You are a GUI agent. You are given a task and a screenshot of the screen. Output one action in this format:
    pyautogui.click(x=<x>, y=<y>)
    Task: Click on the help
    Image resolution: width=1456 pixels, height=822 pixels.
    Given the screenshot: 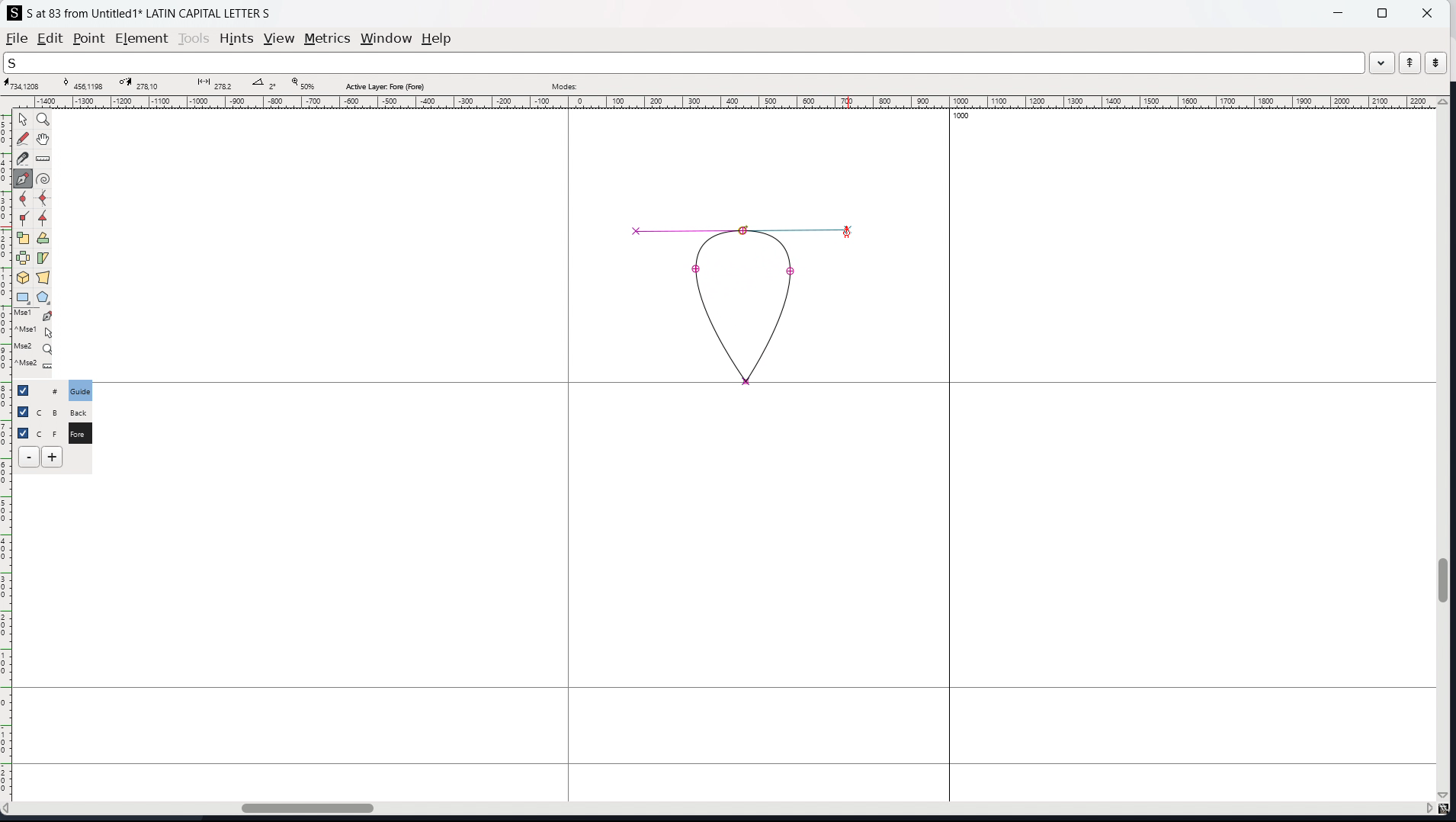 What is the action you would take?
    pyautogui.click(x=437, y=39)
    